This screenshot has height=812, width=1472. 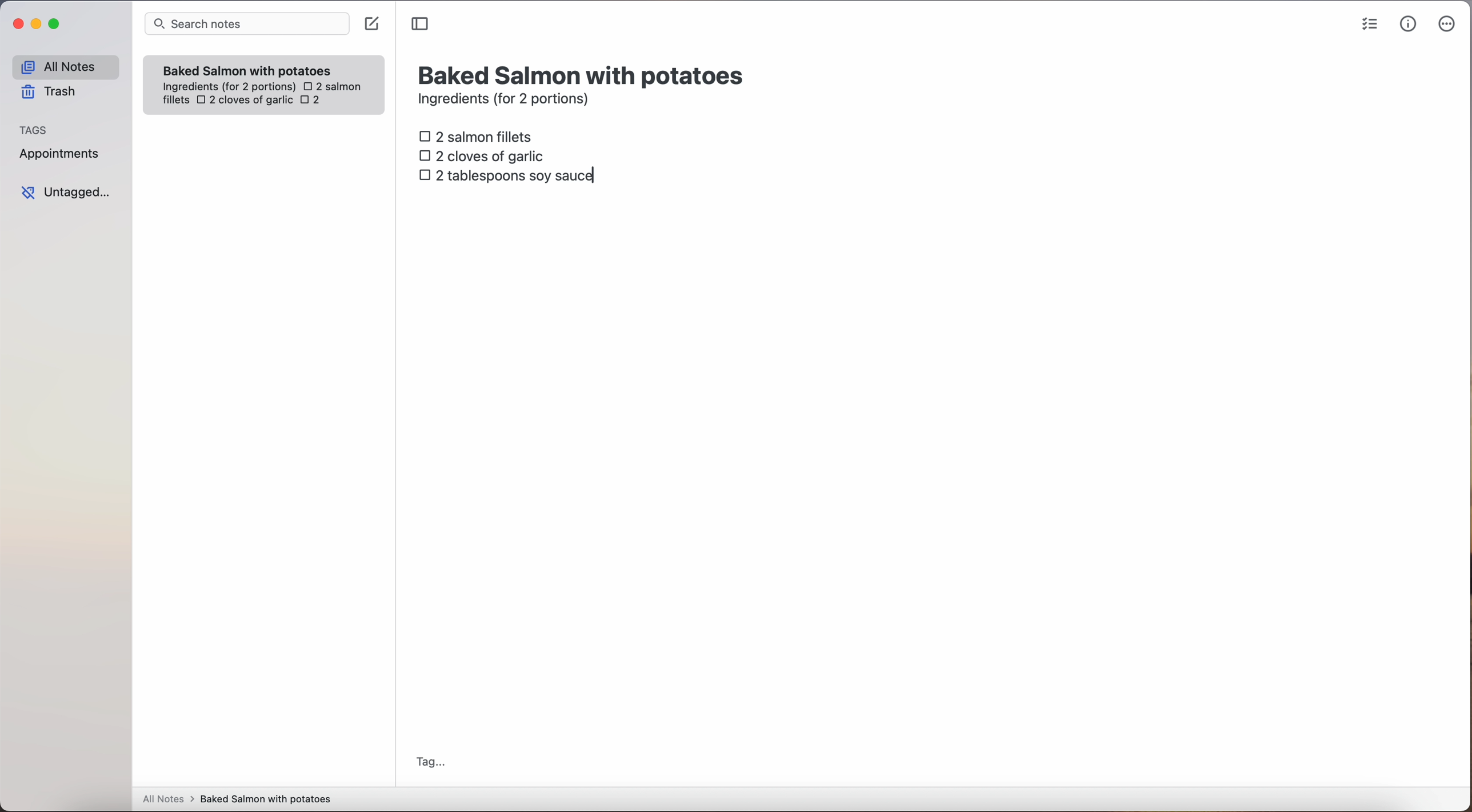 What do you see at coordinates (331, 85) in the screenshot?
I see `2 salmon` at bounding box center [331, 85].